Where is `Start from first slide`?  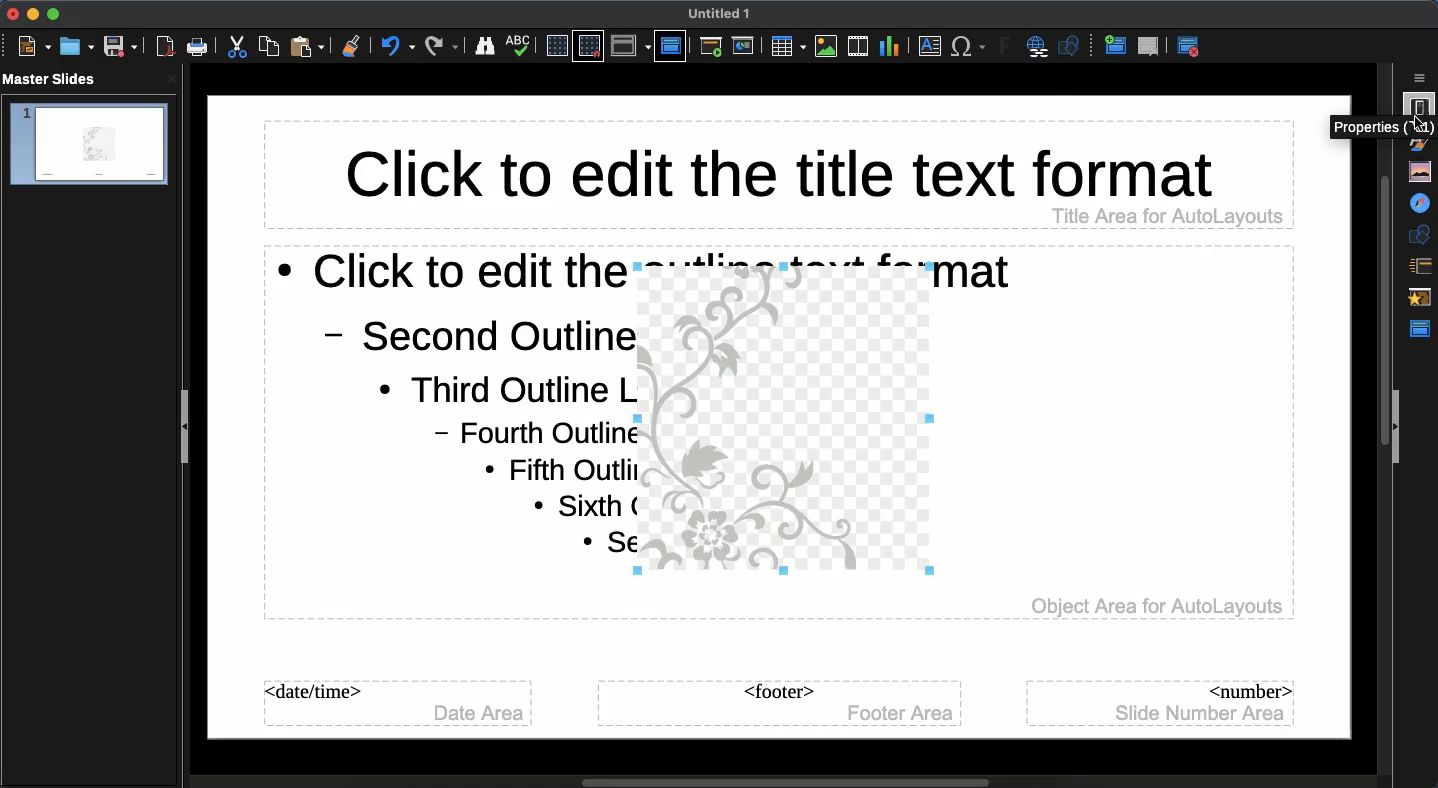 Start from first slide is located at coordinates (713, 49).